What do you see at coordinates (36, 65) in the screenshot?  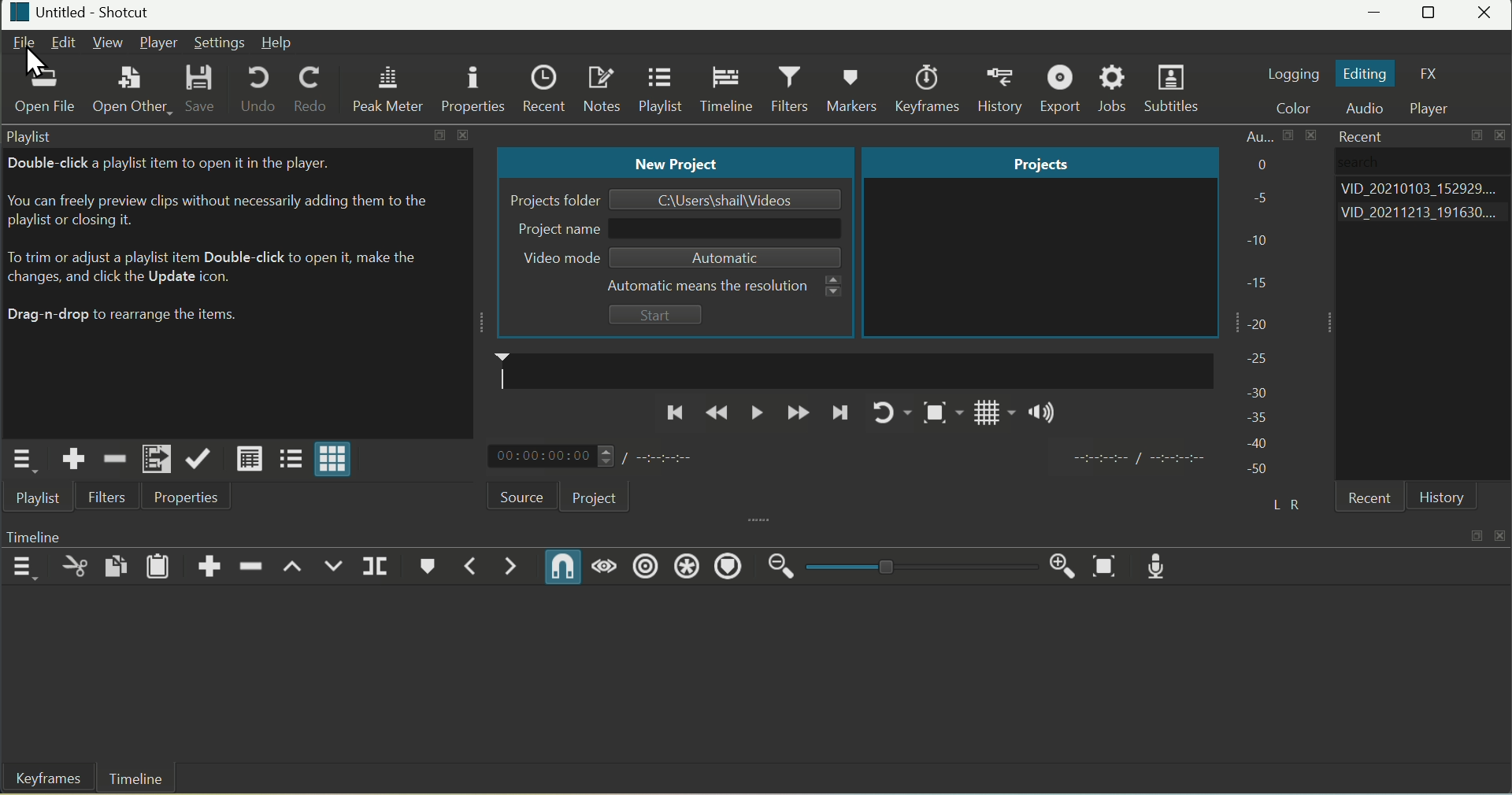 I see `cursor` at bounding box center [36, 65].